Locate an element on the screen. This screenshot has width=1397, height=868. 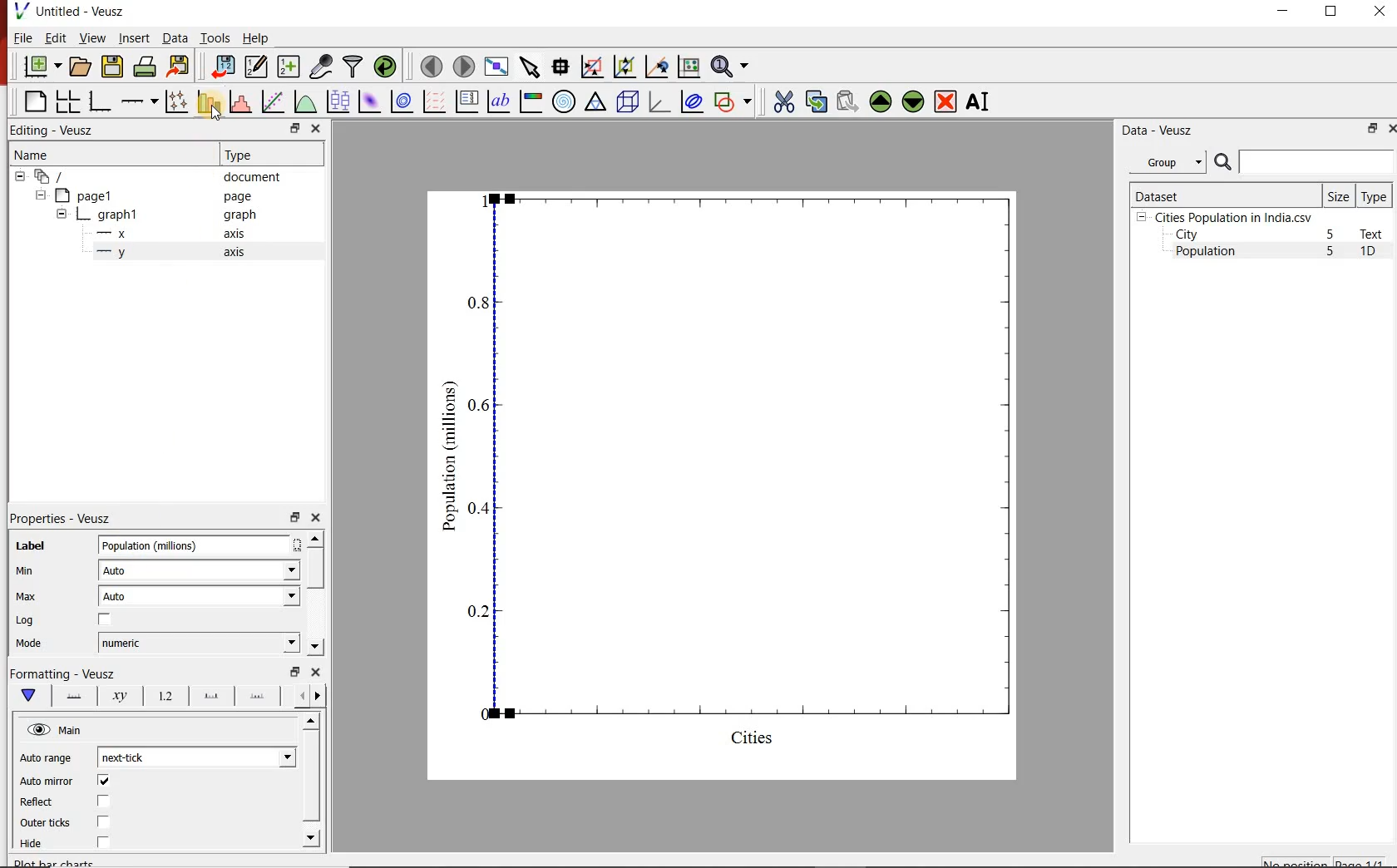
check/uncheck is located at coordinates (102, 845).